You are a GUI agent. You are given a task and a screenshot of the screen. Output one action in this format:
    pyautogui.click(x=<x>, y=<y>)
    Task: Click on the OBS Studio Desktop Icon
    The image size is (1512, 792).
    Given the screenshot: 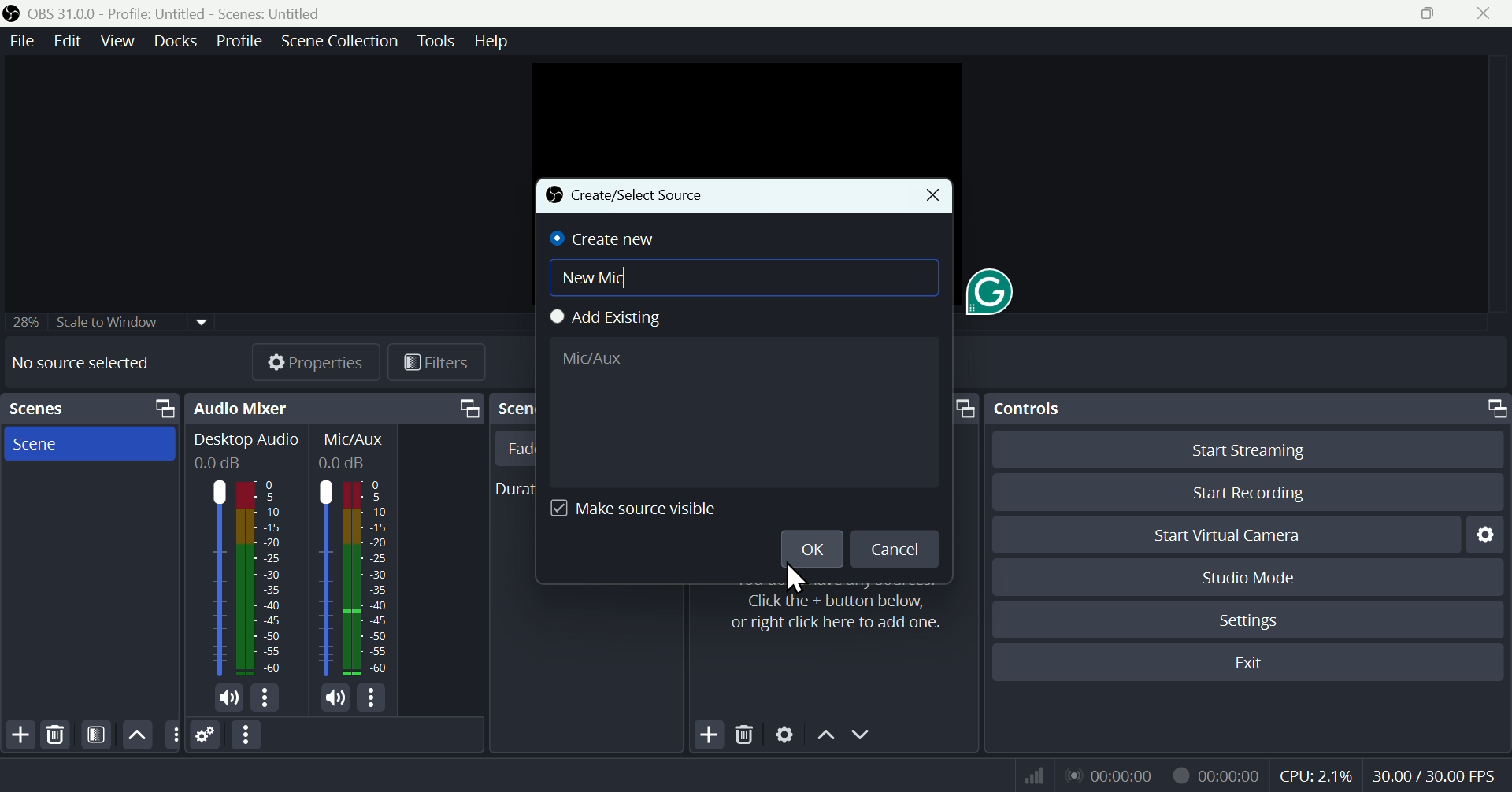 What is the action you would take?
    pyautogui.click(x=12, y=13)
    